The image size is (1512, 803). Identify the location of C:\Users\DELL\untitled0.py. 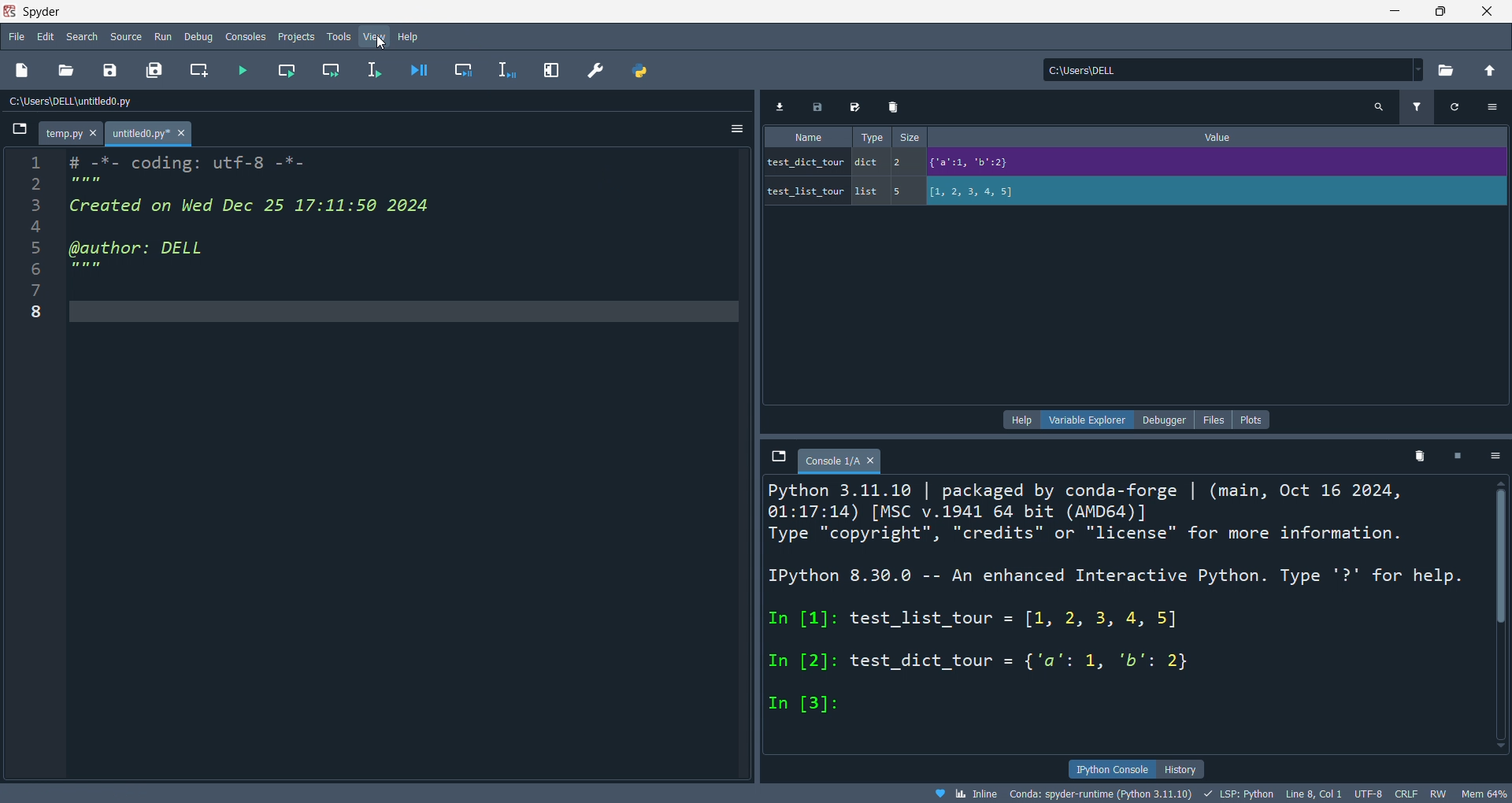
(91, 102).